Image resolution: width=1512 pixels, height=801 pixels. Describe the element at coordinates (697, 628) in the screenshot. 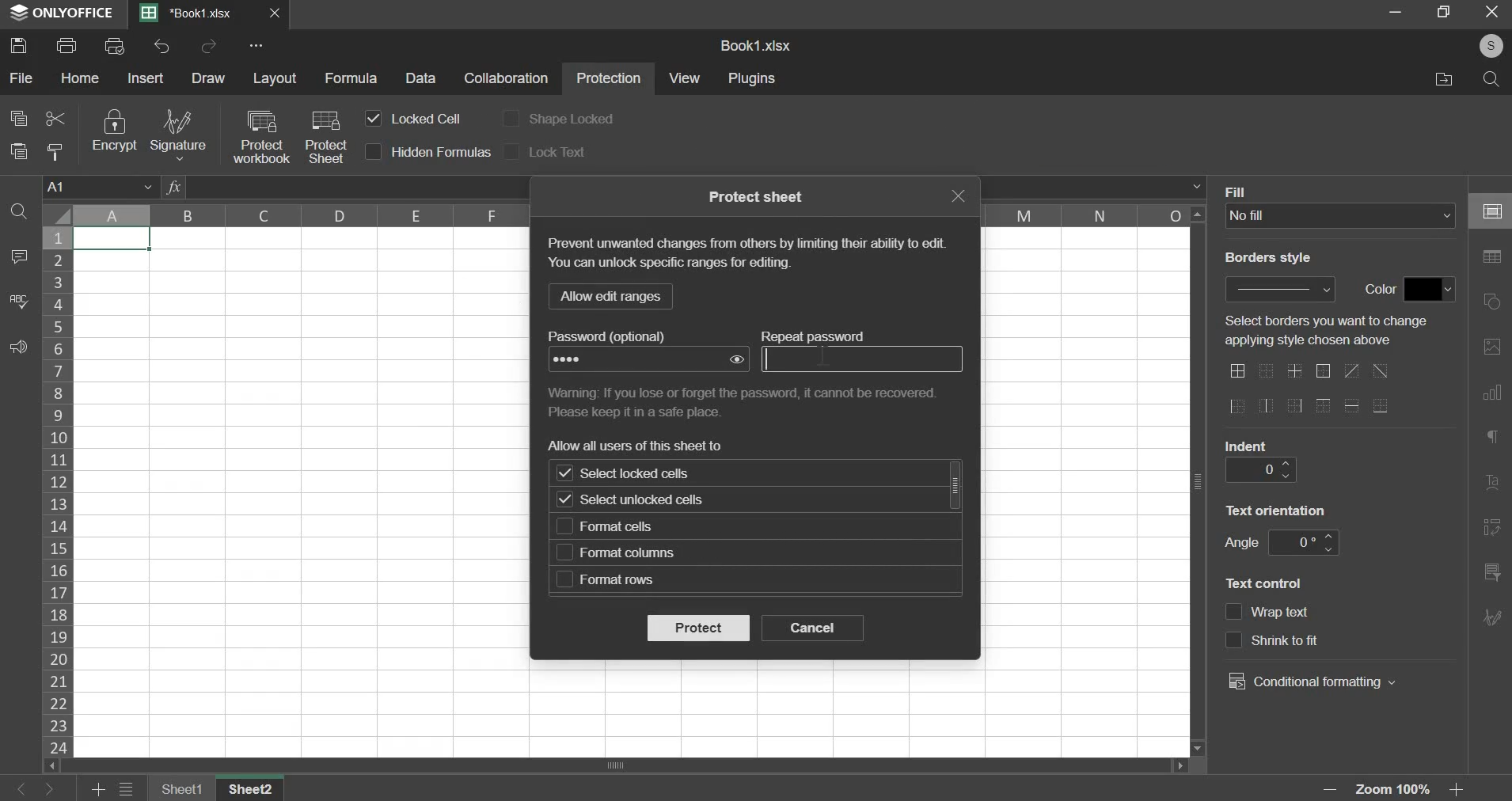

I see `protect` at that location.